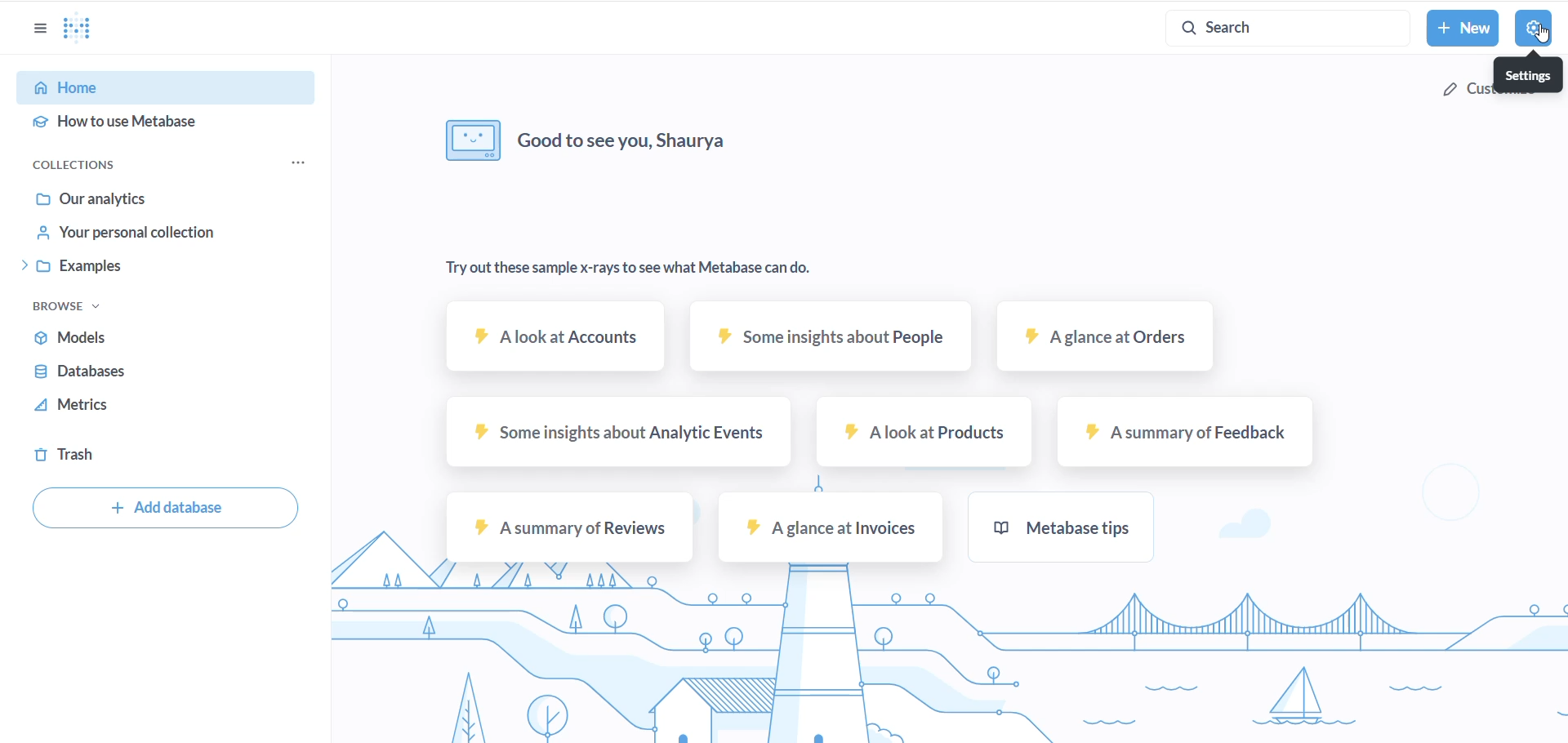 The image size is (1568, 743). What do you see at coordinates (1548, 38) in the screenshot?
I see `CURSOR` at bounding box center [1548, 38].